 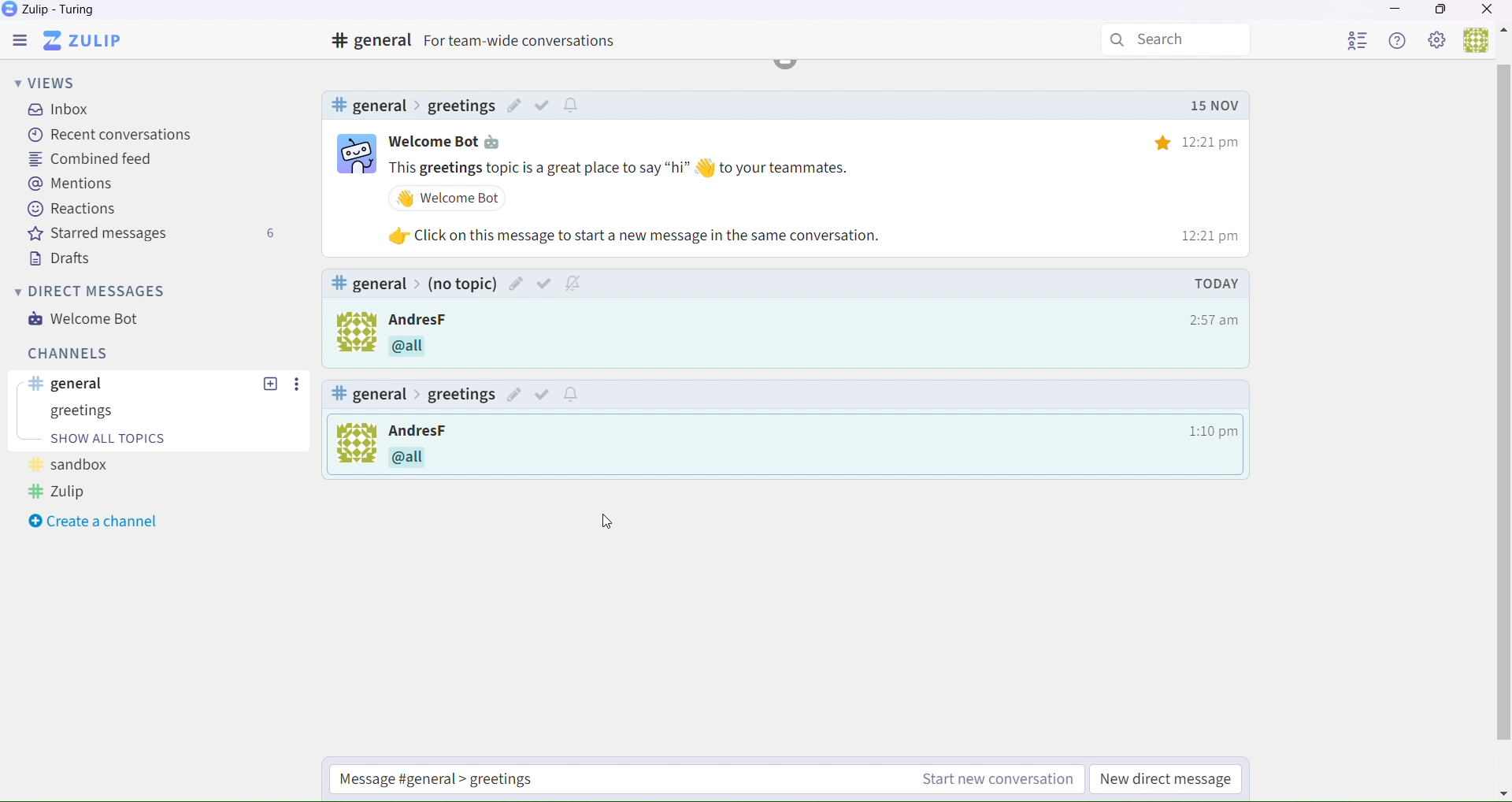 I want to click on , so click(x=543, y=392).